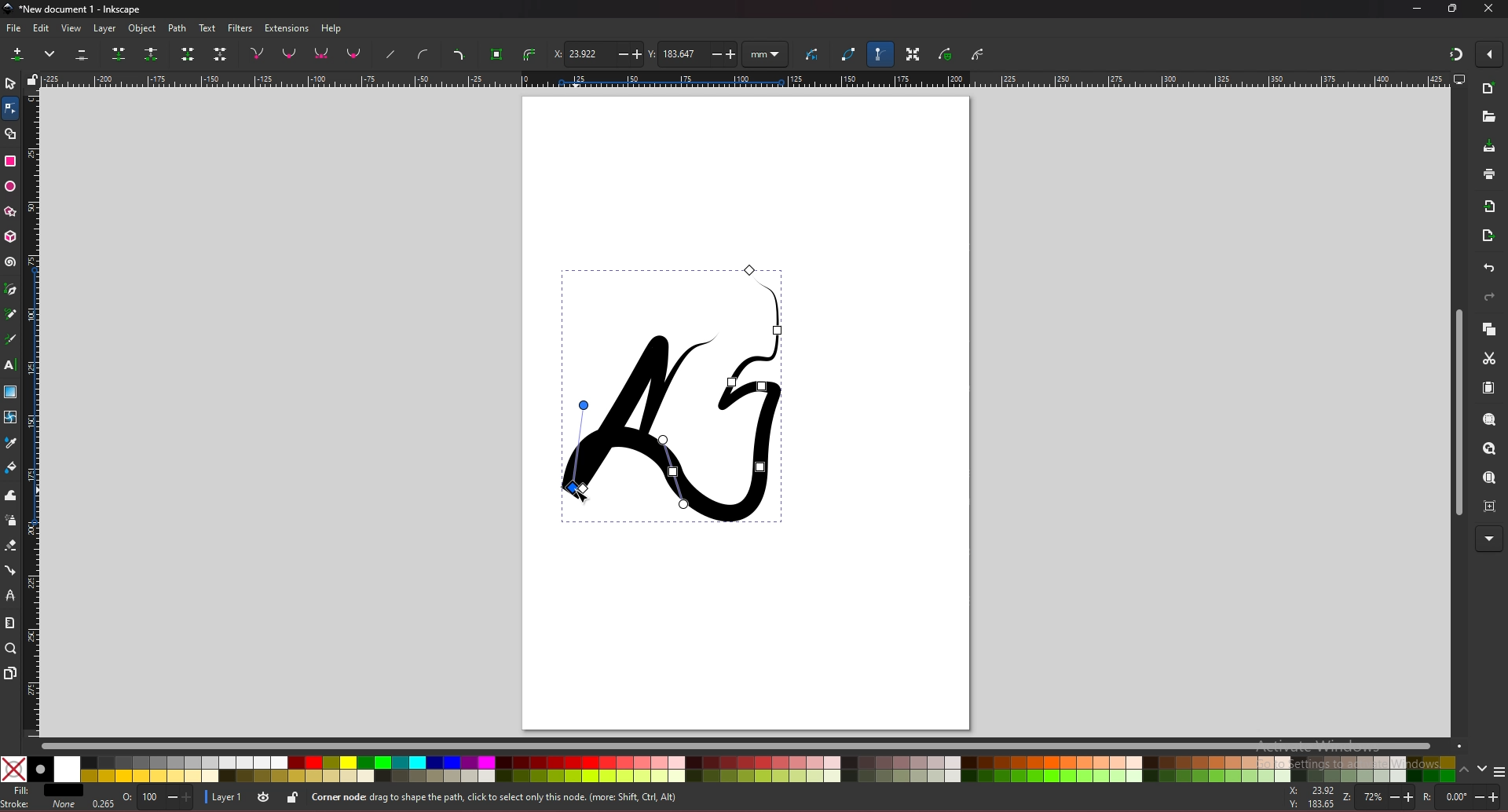  I want to click on y coordinate, so click(693, 54).